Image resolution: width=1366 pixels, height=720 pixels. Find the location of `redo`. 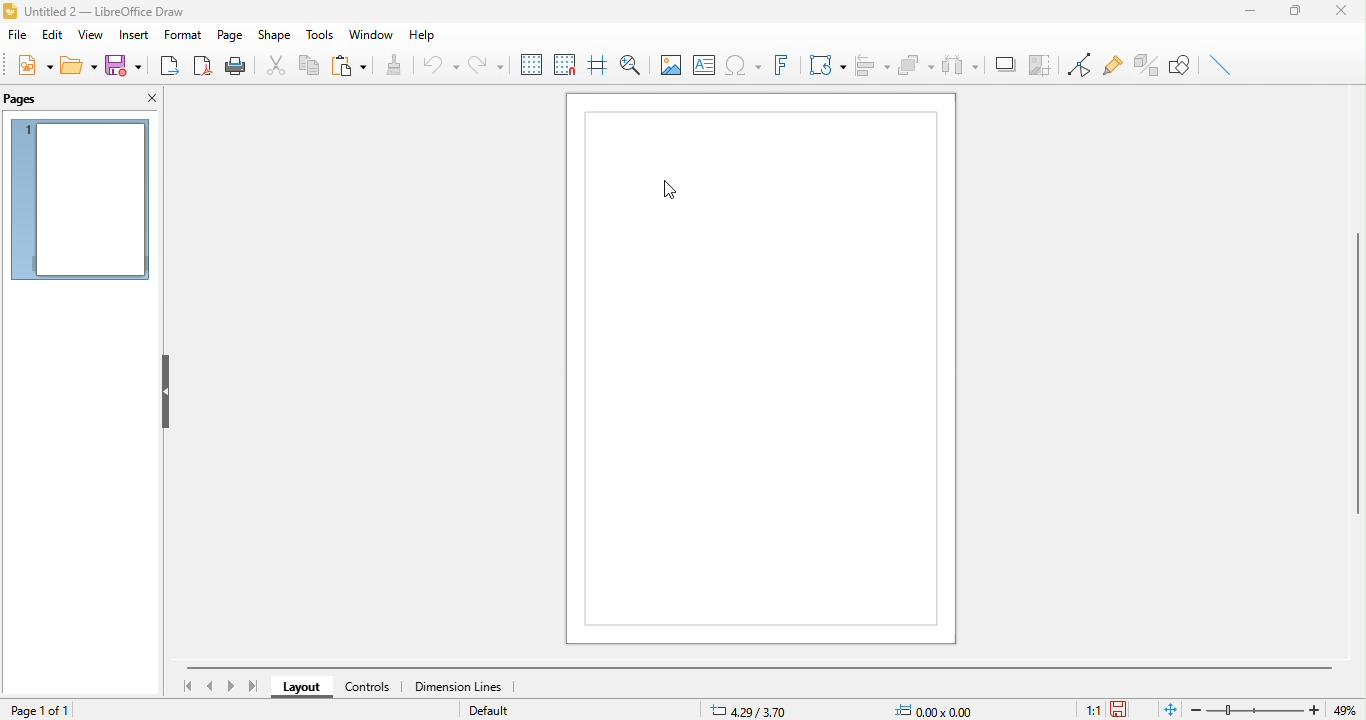

redo is located at coordinates (484, 64).